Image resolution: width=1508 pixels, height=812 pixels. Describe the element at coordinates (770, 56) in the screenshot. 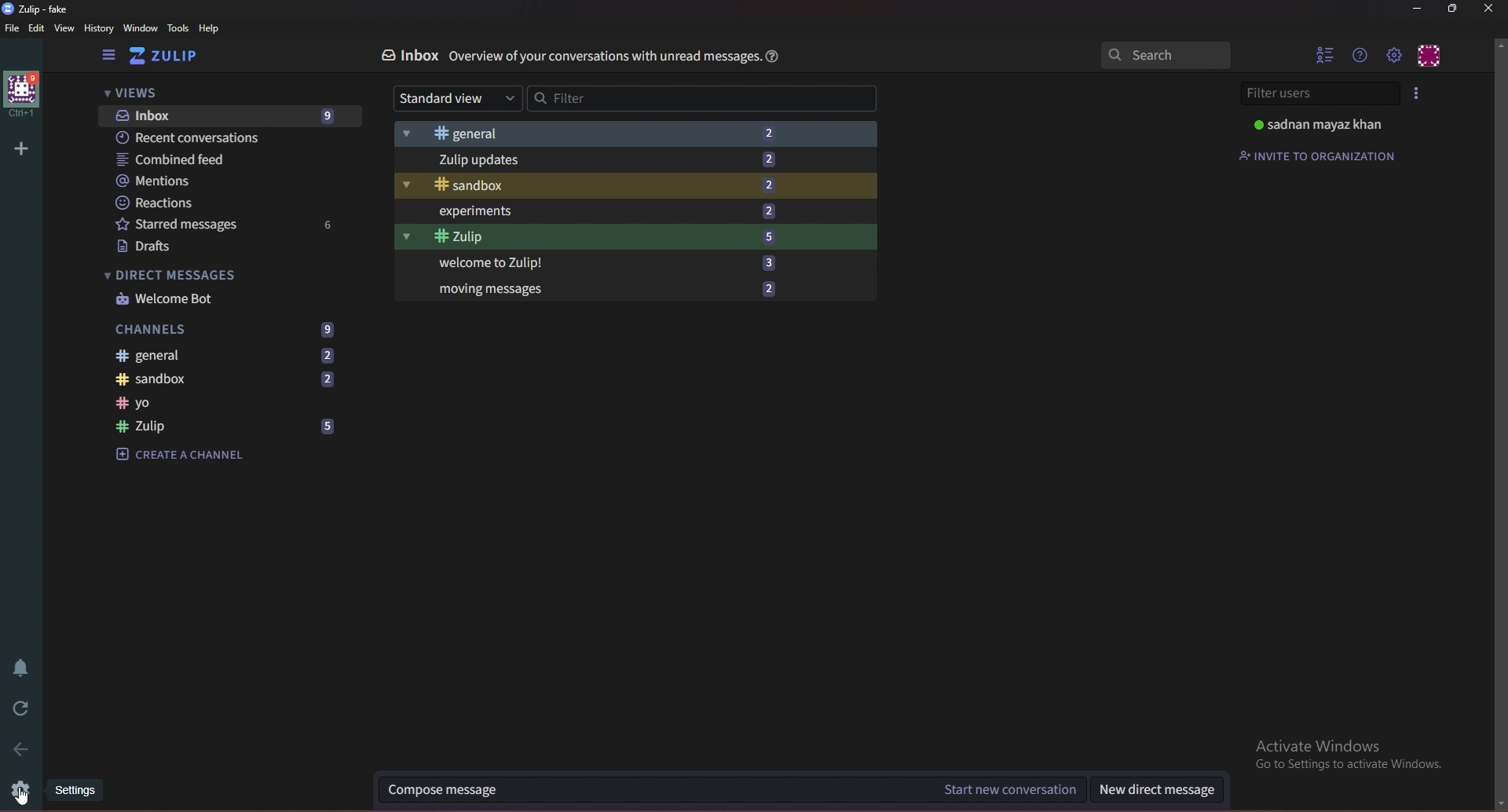

I see `help` at that location.